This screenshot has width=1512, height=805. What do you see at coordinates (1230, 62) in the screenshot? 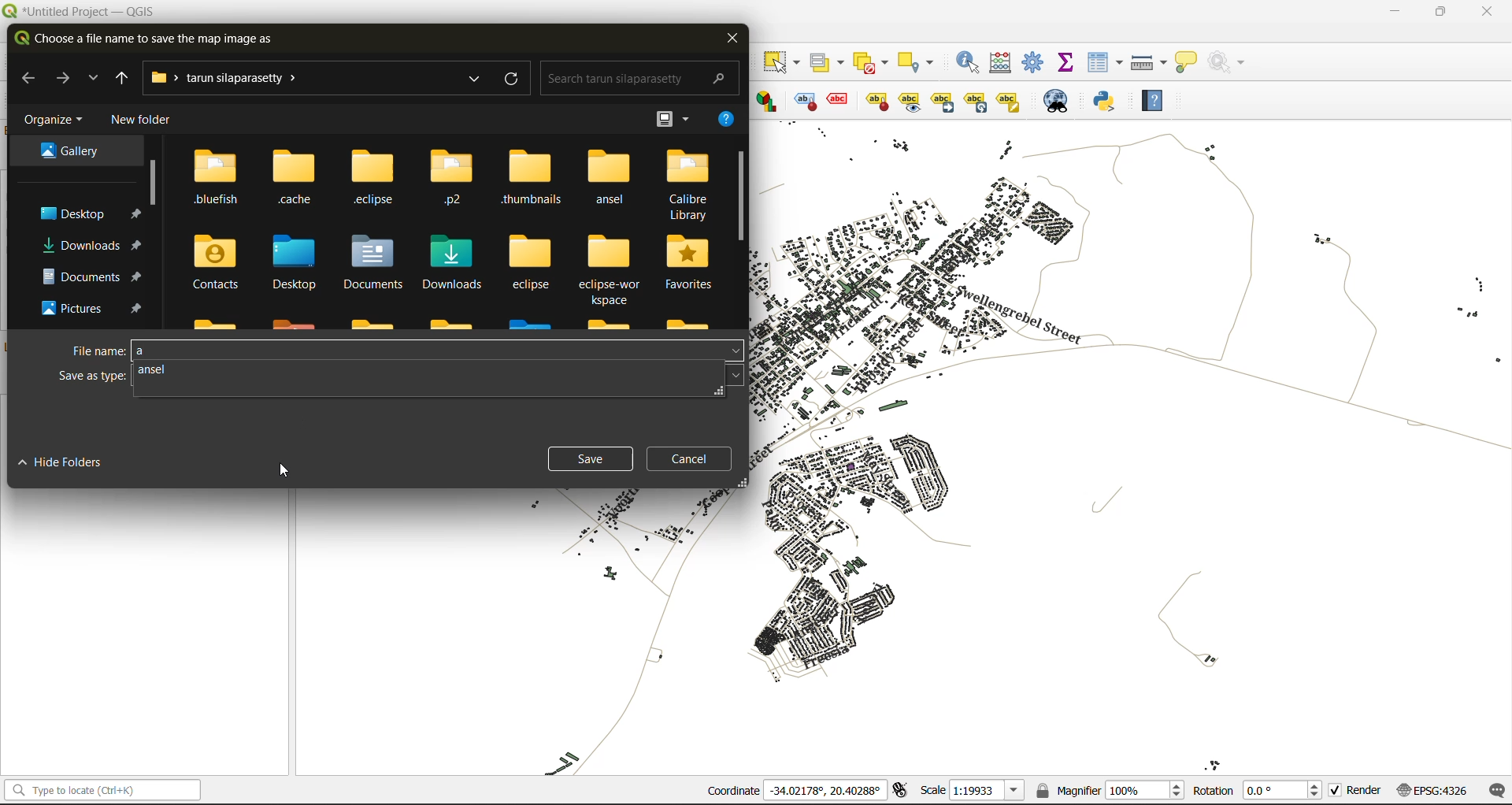
I see `no action` at bounding box center [1230, 62].